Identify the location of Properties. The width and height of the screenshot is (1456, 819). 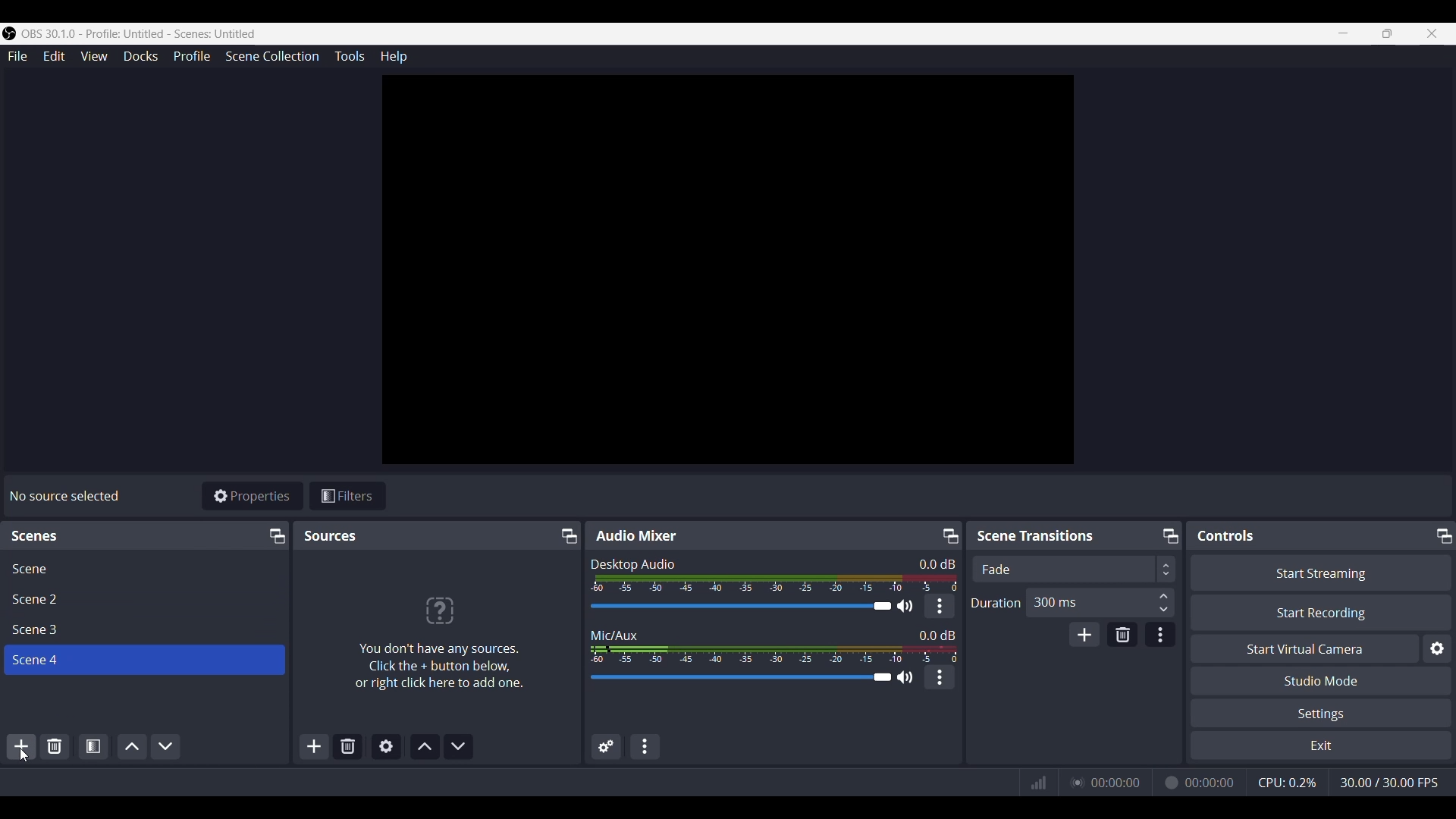
(253, 496).